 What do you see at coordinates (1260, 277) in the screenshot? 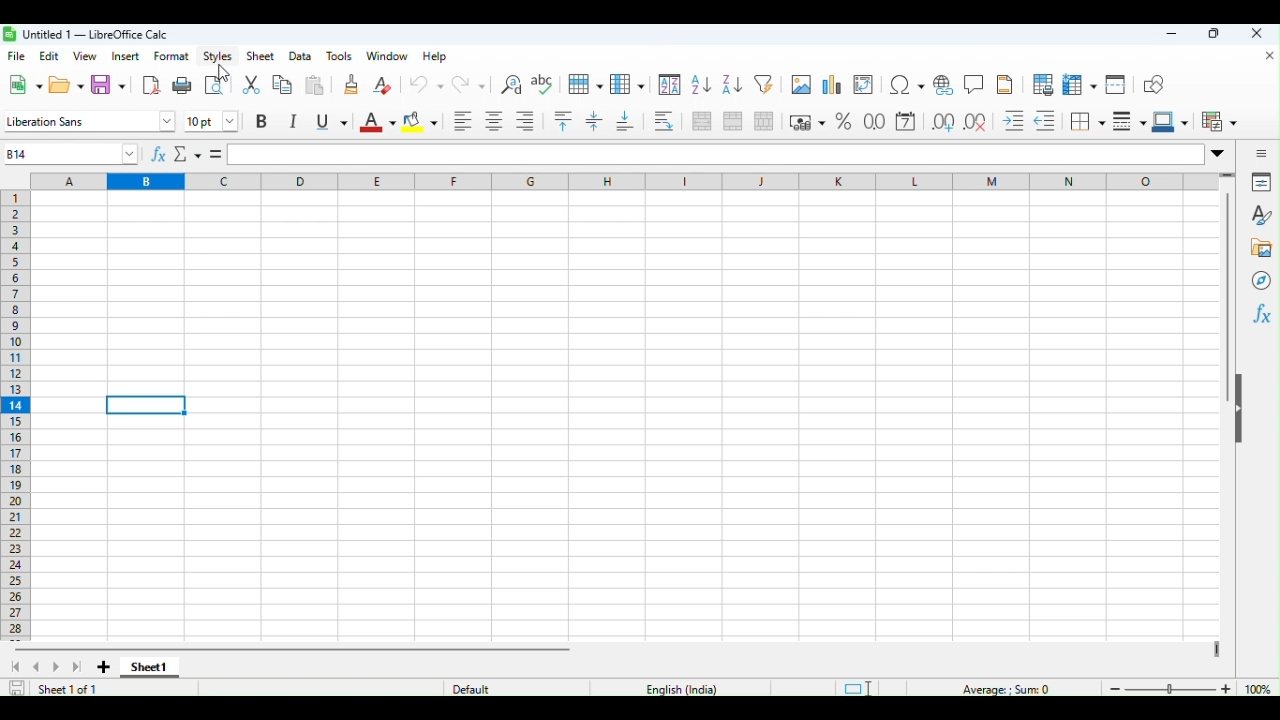
I see `Navigator` at bounding box center [1260, 277].